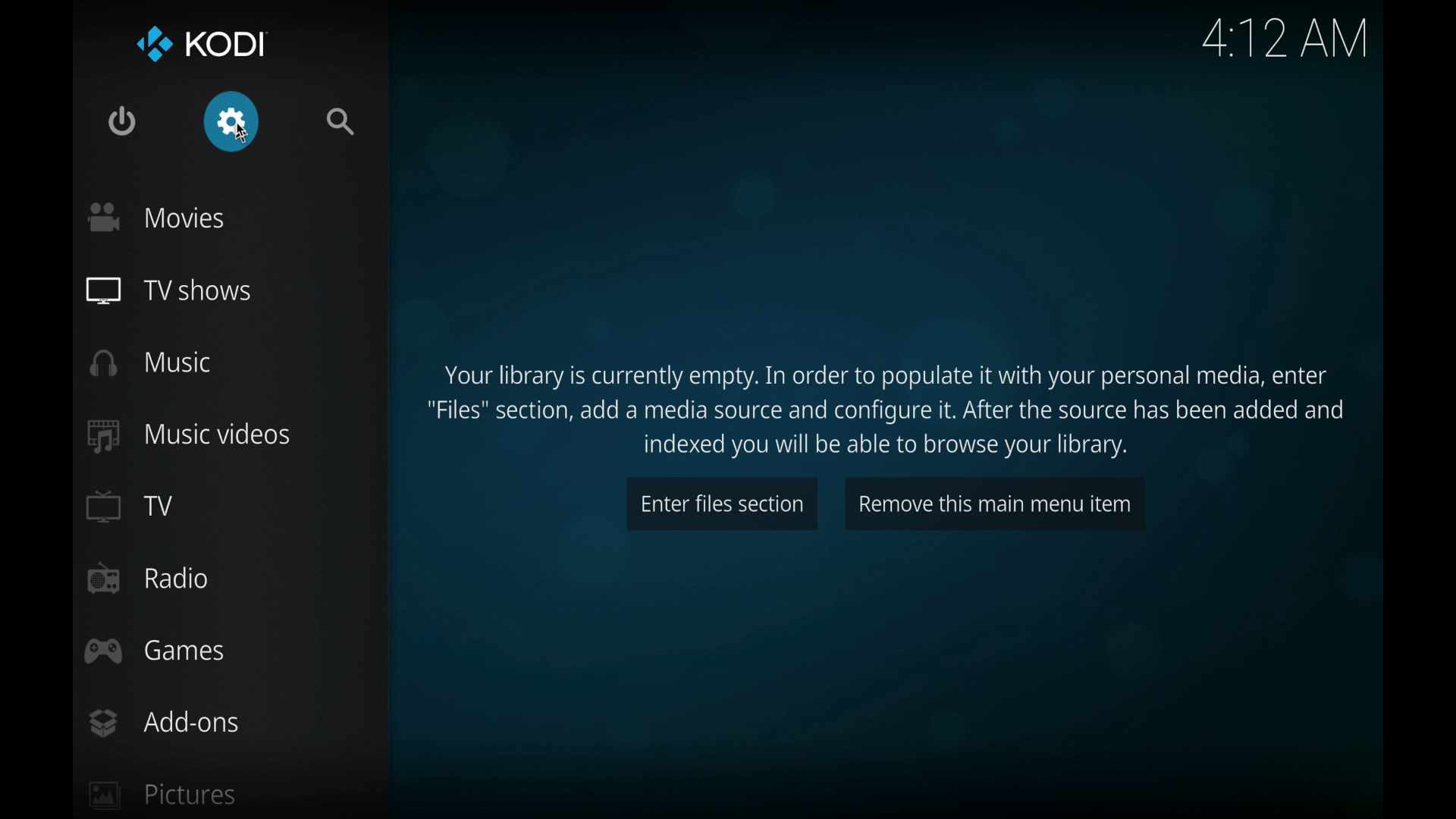 The image size is (1456, 819). I want to click on enter files section, so click(722, 504).